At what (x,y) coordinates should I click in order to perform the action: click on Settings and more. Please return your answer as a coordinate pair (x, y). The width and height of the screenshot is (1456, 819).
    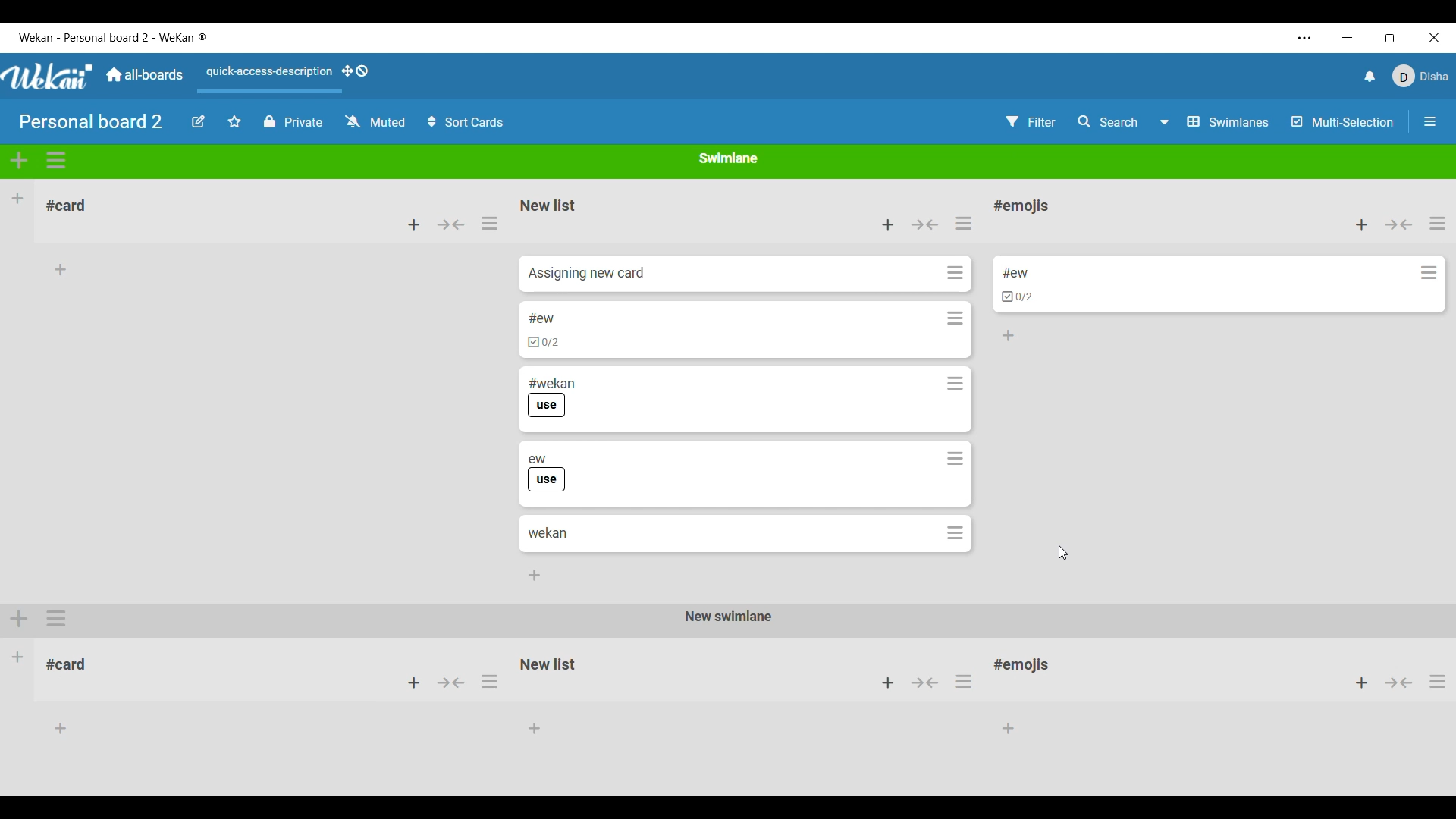
    Looking at the image, I should click on (1304, 38).